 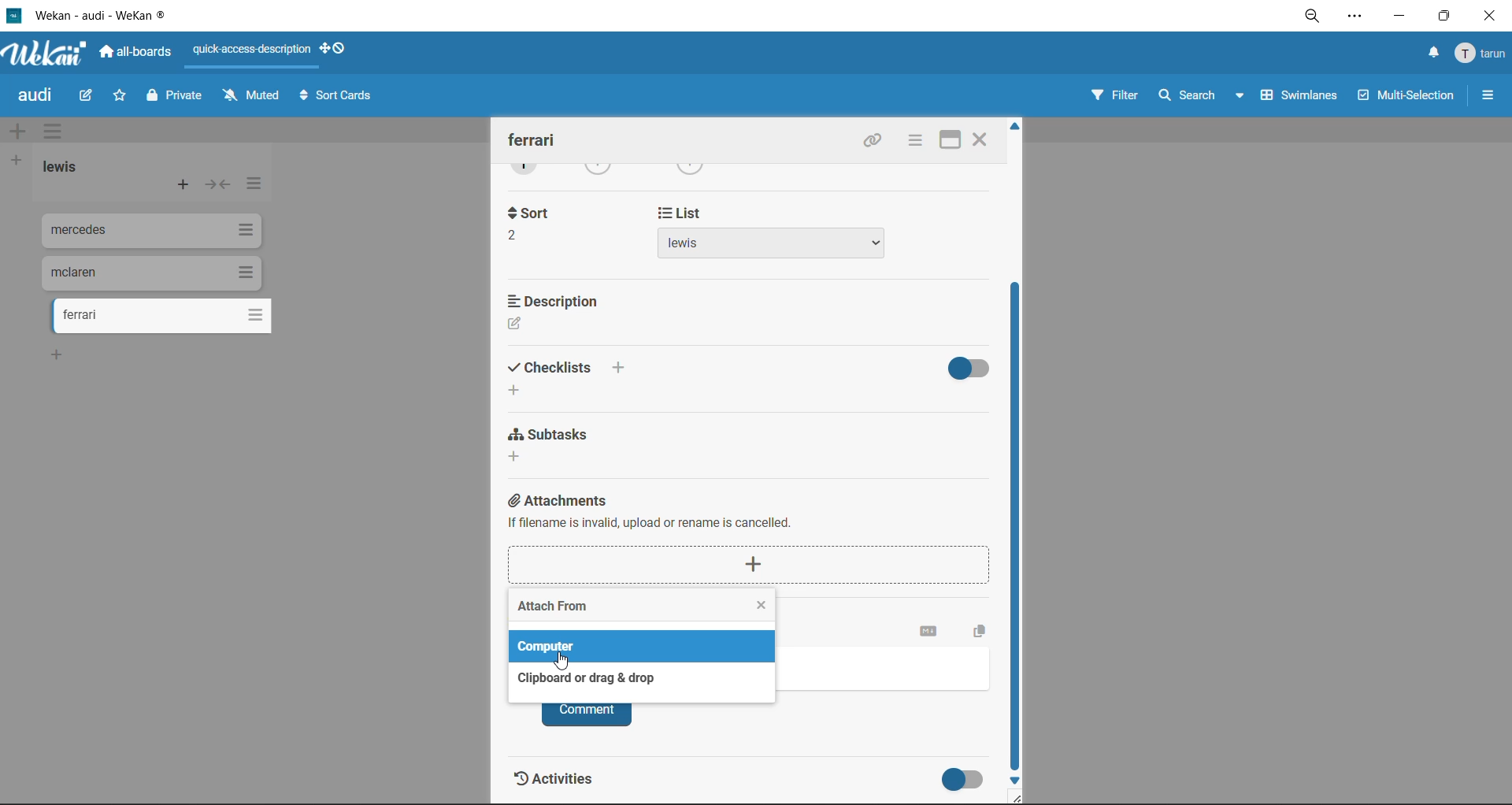 What do you see at coordinates (552, 646) in the screenshot?
I see `computer` at bounding box center [552, 646].